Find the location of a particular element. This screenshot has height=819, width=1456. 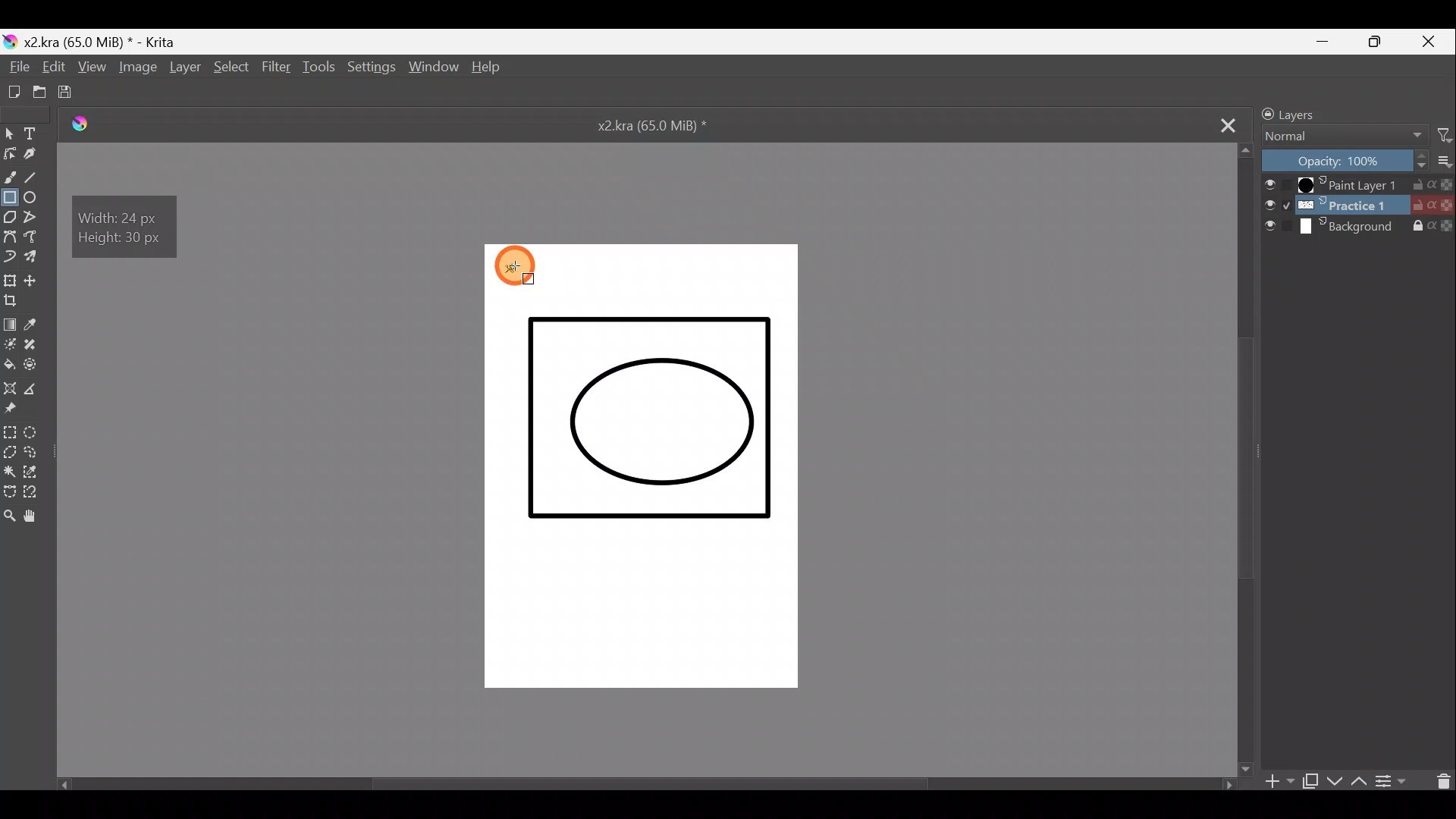

Scroll bar is located at coordinates (654, 783).